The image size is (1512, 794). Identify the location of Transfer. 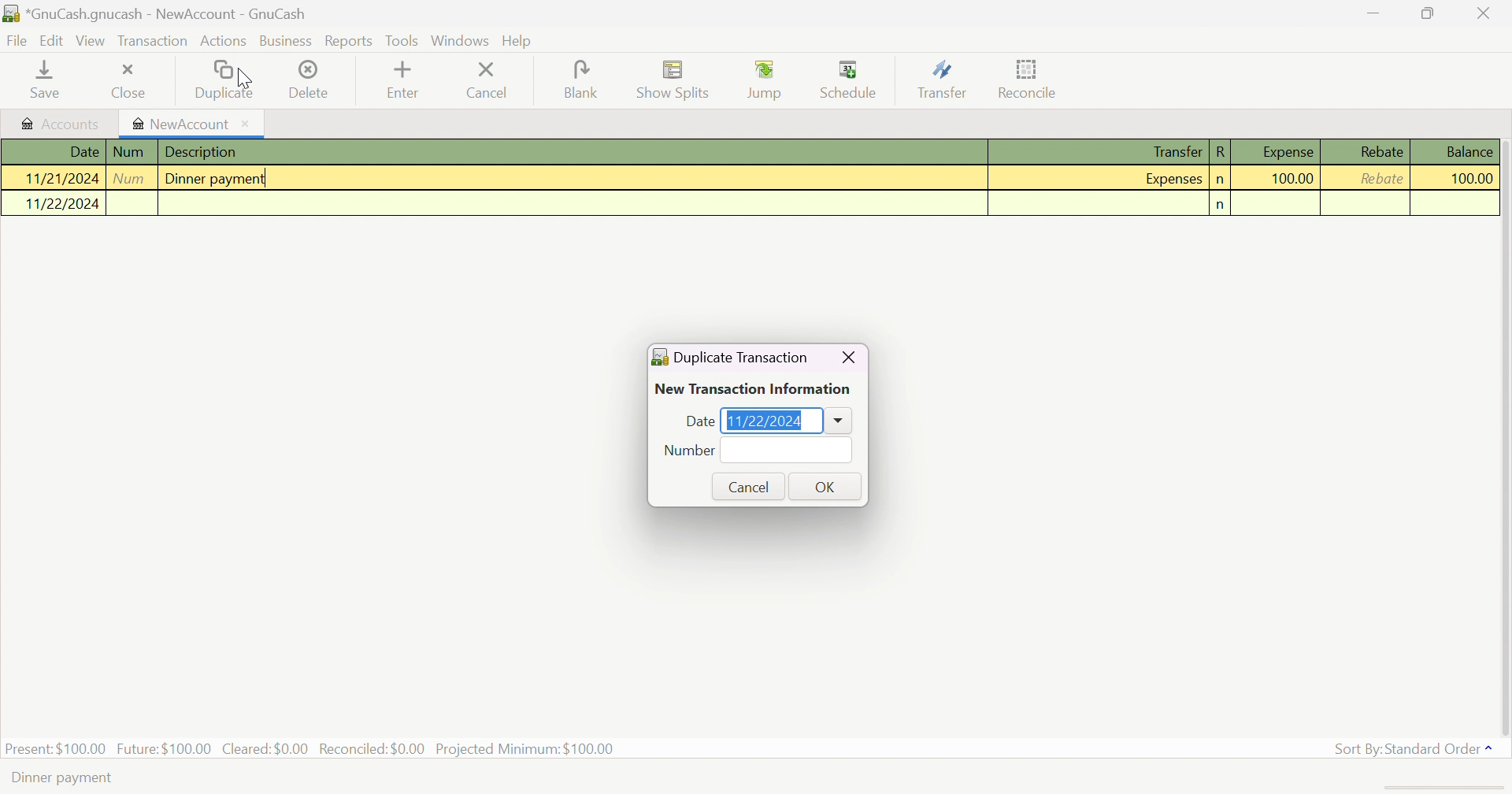
(1166, 151).